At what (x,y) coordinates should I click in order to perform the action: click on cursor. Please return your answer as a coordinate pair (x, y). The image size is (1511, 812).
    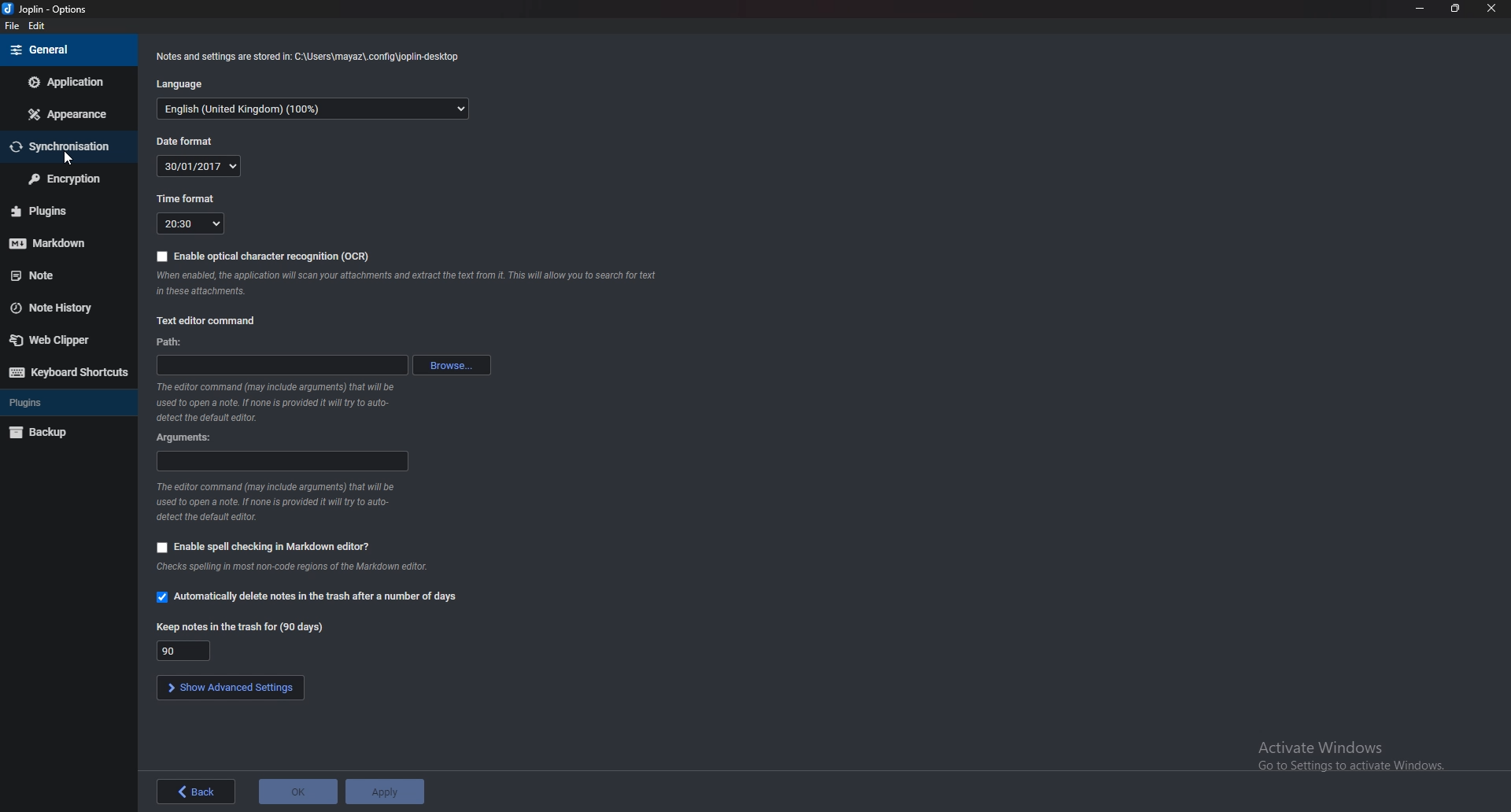
    Looking at the image, I should click on (69, 157).